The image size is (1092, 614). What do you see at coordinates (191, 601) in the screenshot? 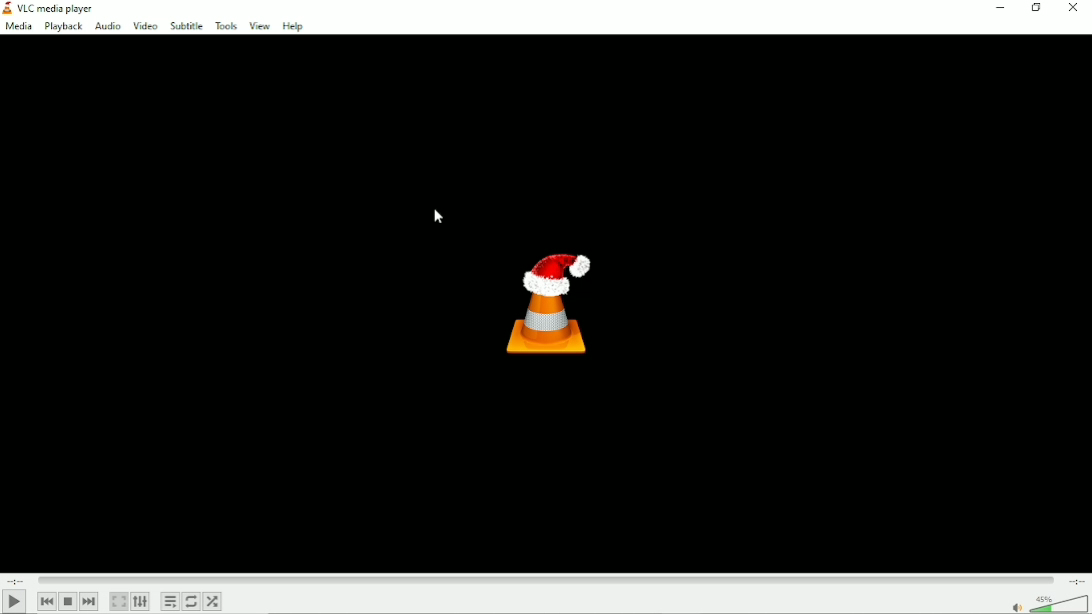
I see `Toggle between loop all, loop one and no loop` at bounding box center [191, 601].